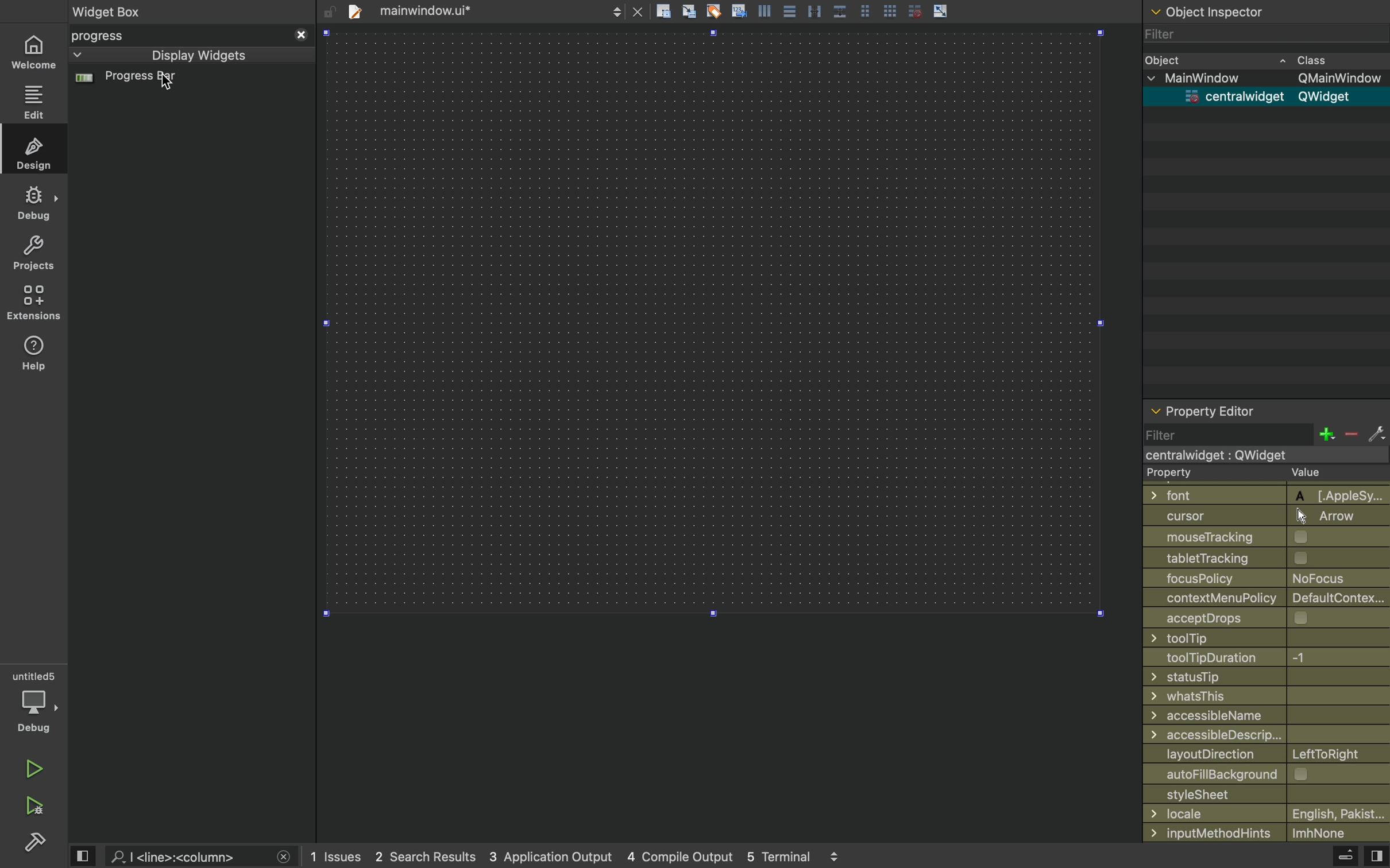 The image size is (1390, 868). I want to click on tab, so click(492, 10).